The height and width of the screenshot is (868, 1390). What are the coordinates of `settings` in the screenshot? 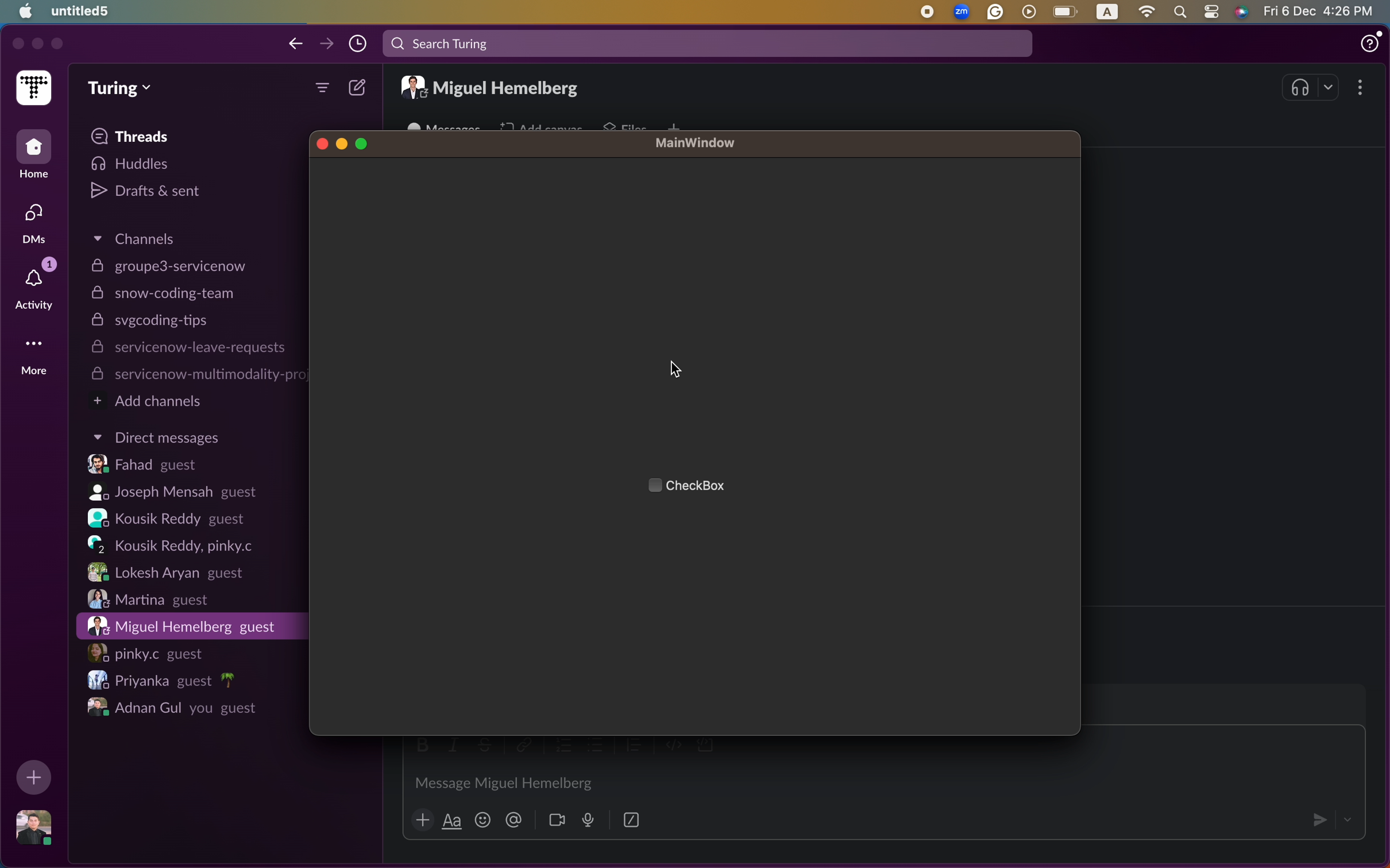 It's located at (1211, 10).